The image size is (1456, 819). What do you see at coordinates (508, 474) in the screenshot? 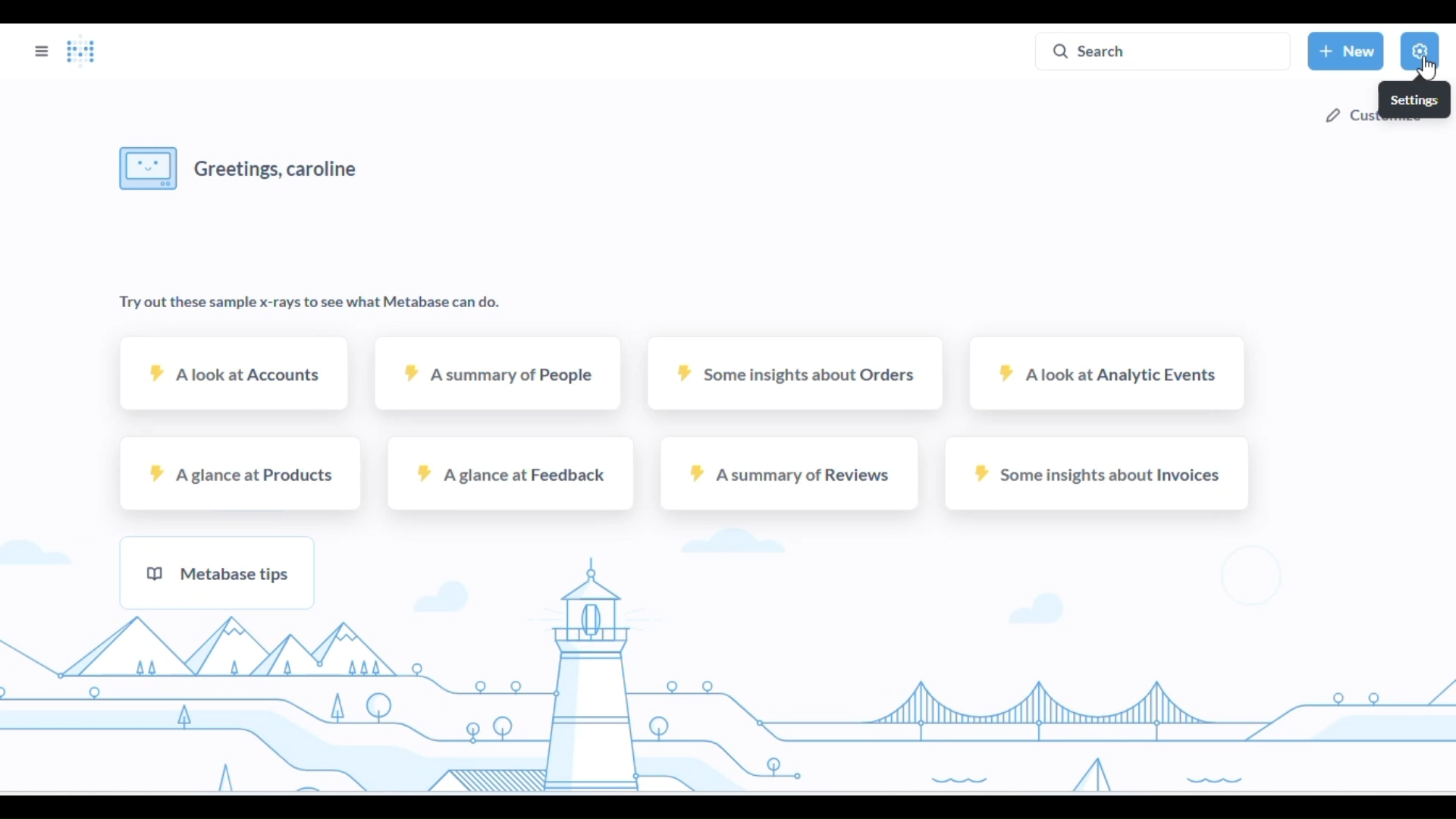
I see `a glance at feedback` at bounding box center [508, 474].